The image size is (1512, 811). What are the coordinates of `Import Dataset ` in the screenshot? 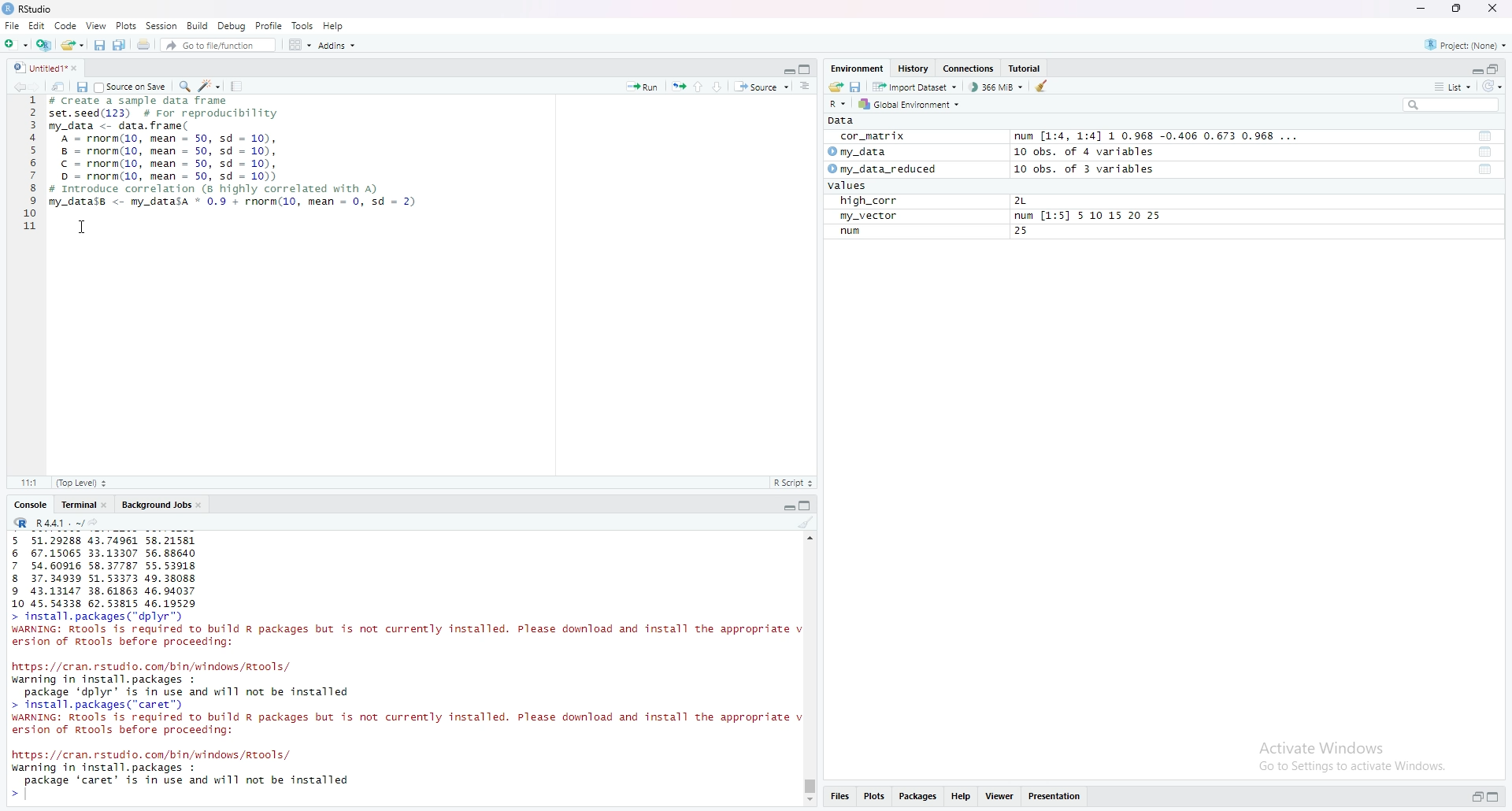 It's located at (915, 87).